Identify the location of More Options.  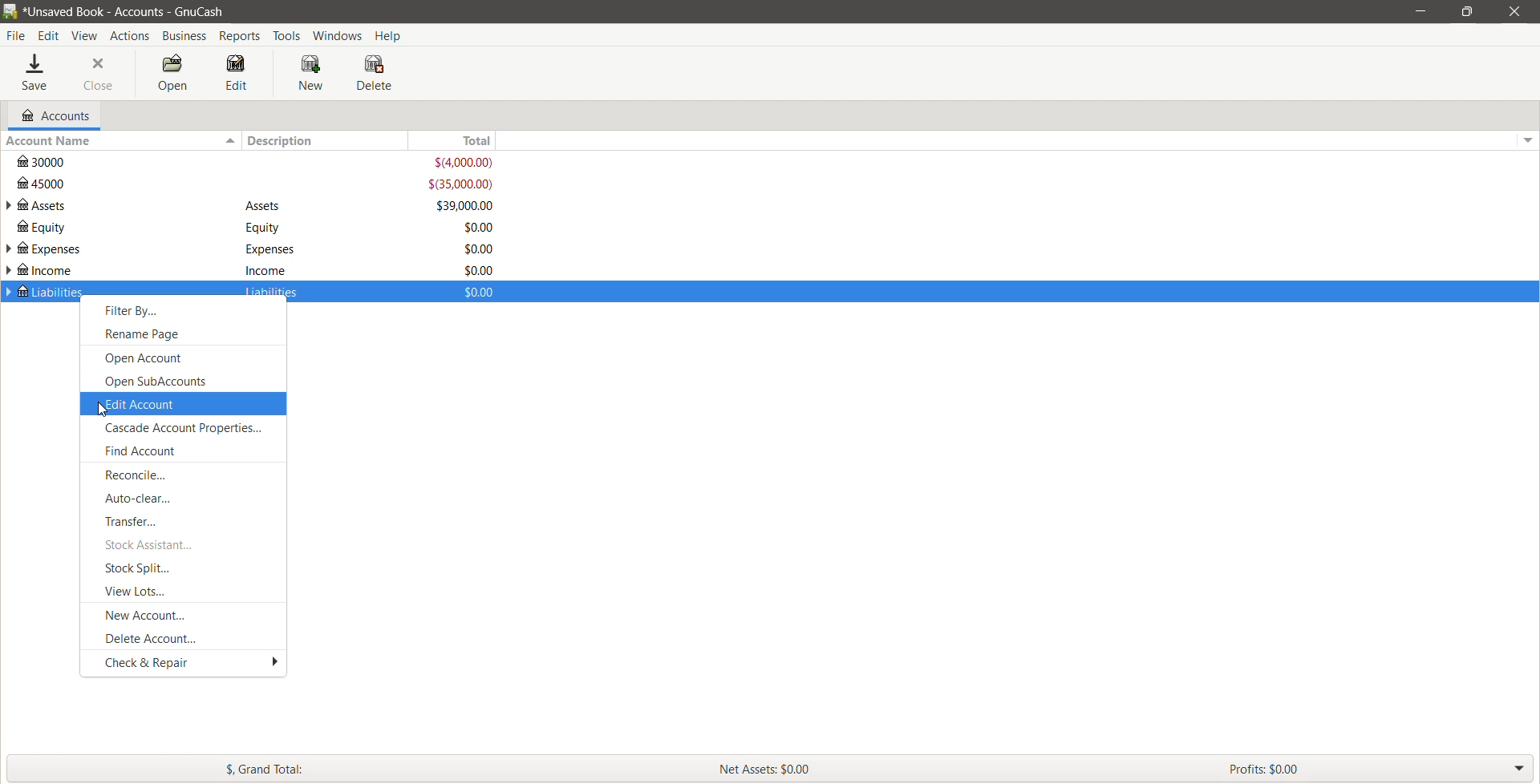
(271, 662).